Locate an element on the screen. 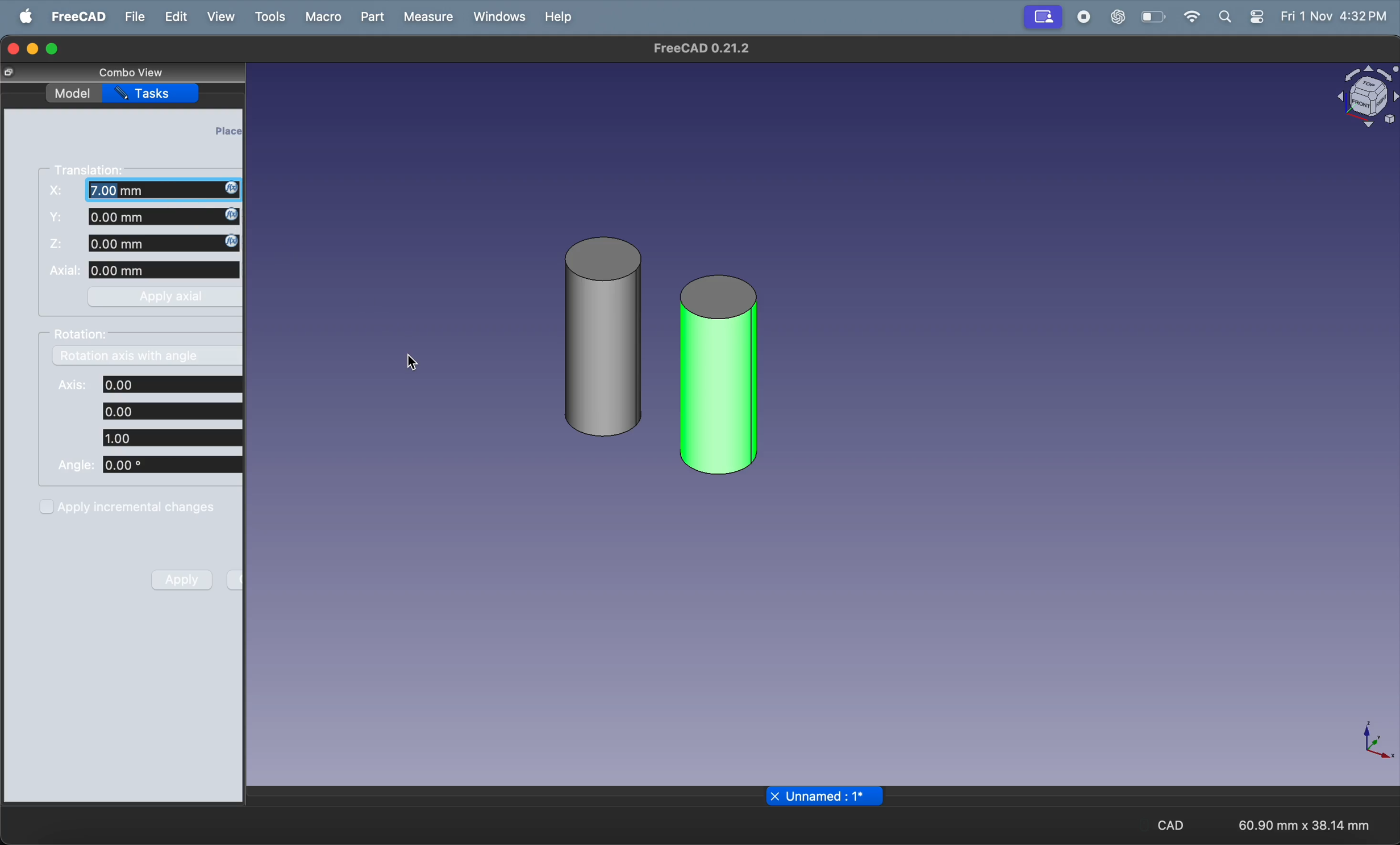 This screenshot has height=845, width=1400. apple widgets is located at coordinates (1241, 18).